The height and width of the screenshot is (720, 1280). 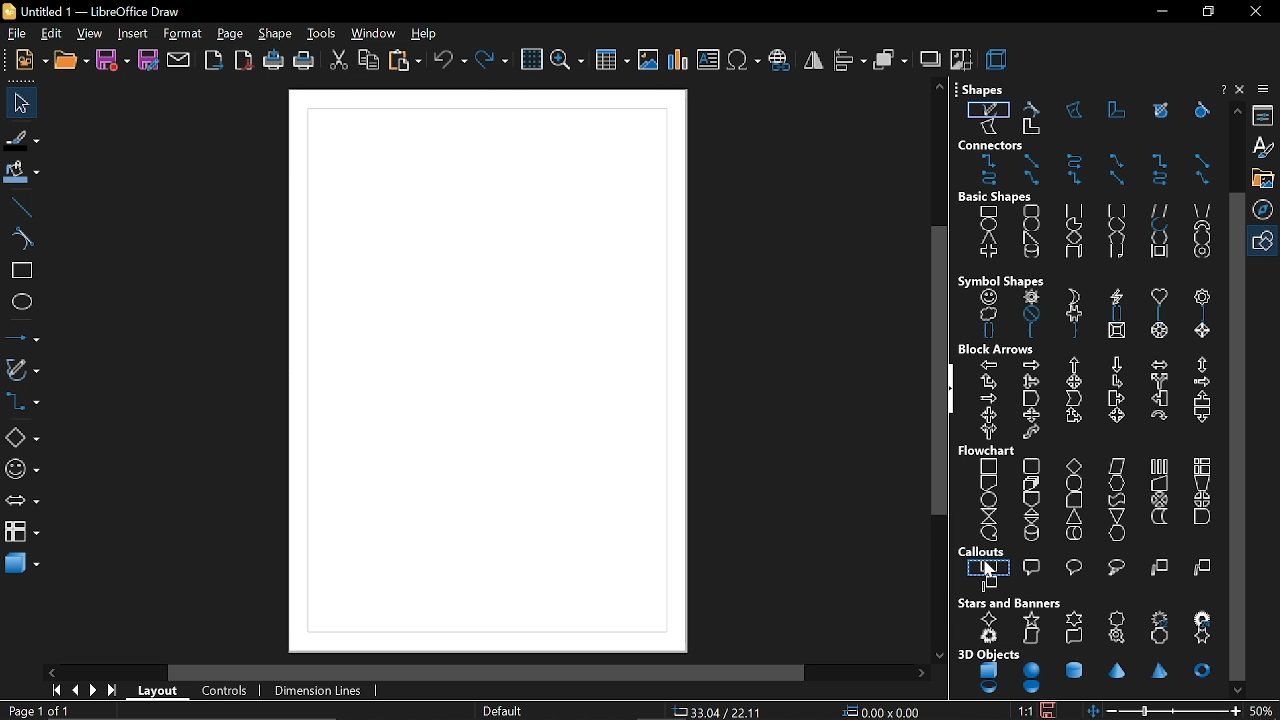 I want to click on shapes, so click(x=982, y=88).